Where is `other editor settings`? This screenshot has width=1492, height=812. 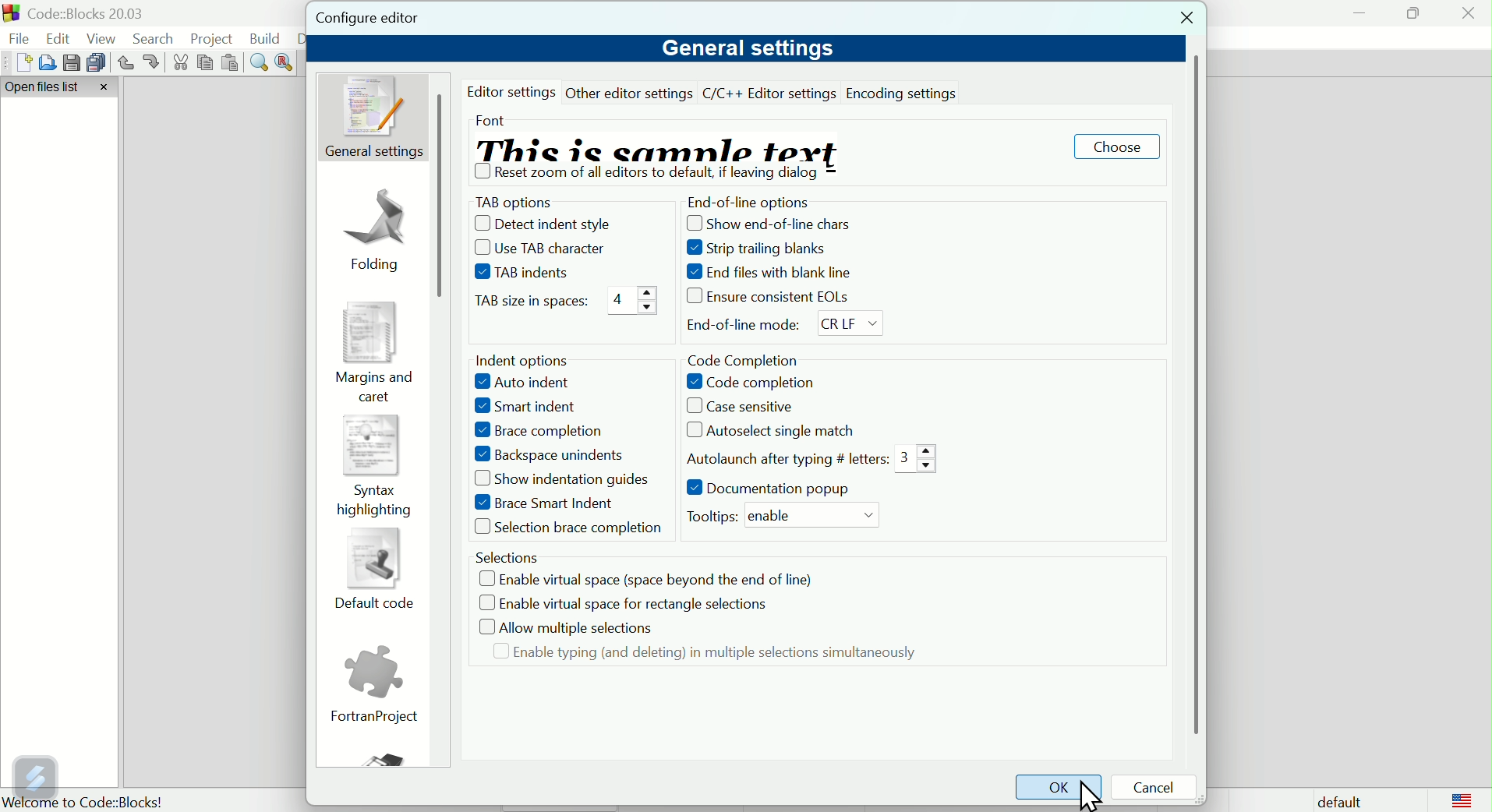
other editor settings is located at coordinates (631, 93).